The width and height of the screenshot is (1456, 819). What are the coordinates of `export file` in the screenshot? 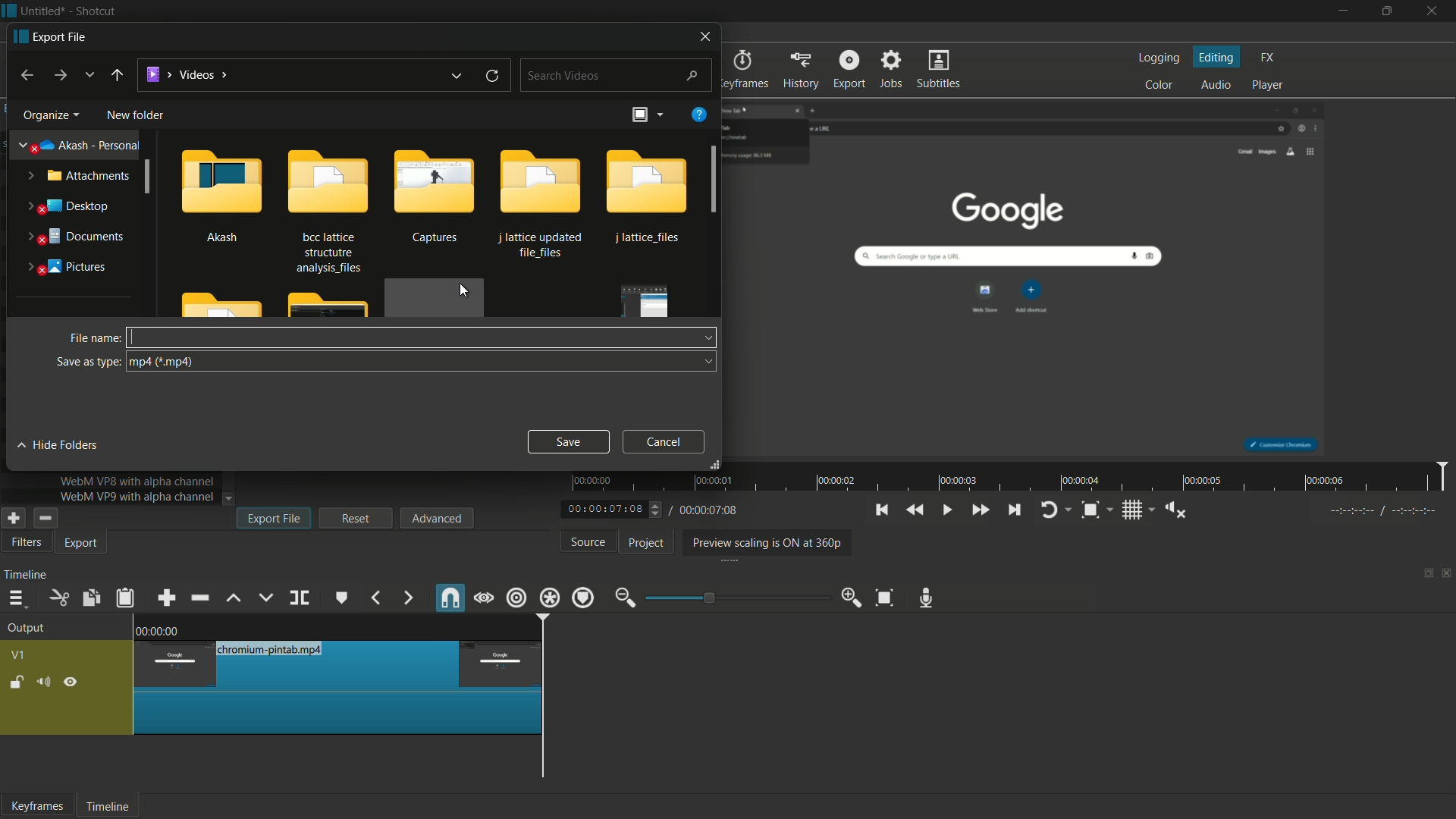 It's located at (275, 518).